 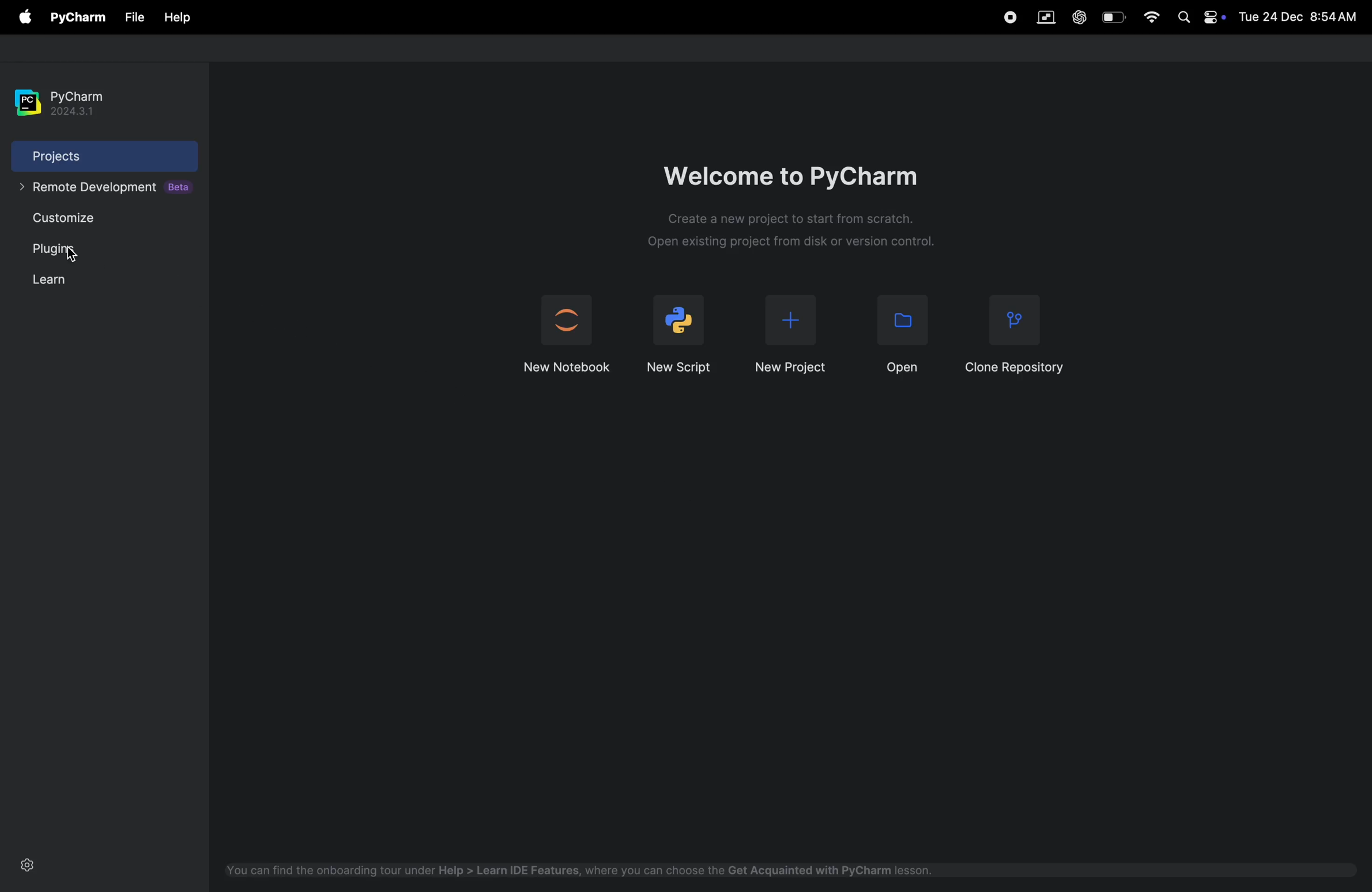 What do you see at coordinates (89, 220) in the screenshot?
I see `customize file` at bounding box center [89, 220].